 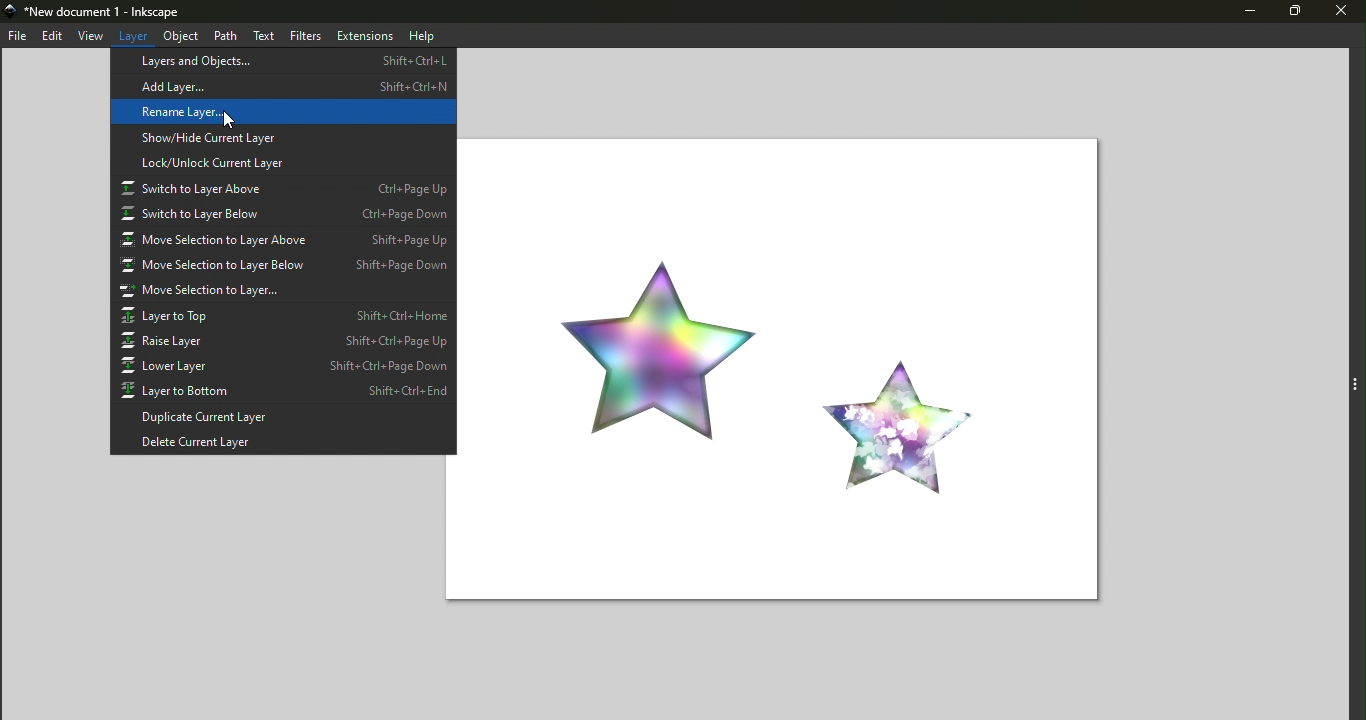 I want to click on Raise layer, so click(x=281, y=339).